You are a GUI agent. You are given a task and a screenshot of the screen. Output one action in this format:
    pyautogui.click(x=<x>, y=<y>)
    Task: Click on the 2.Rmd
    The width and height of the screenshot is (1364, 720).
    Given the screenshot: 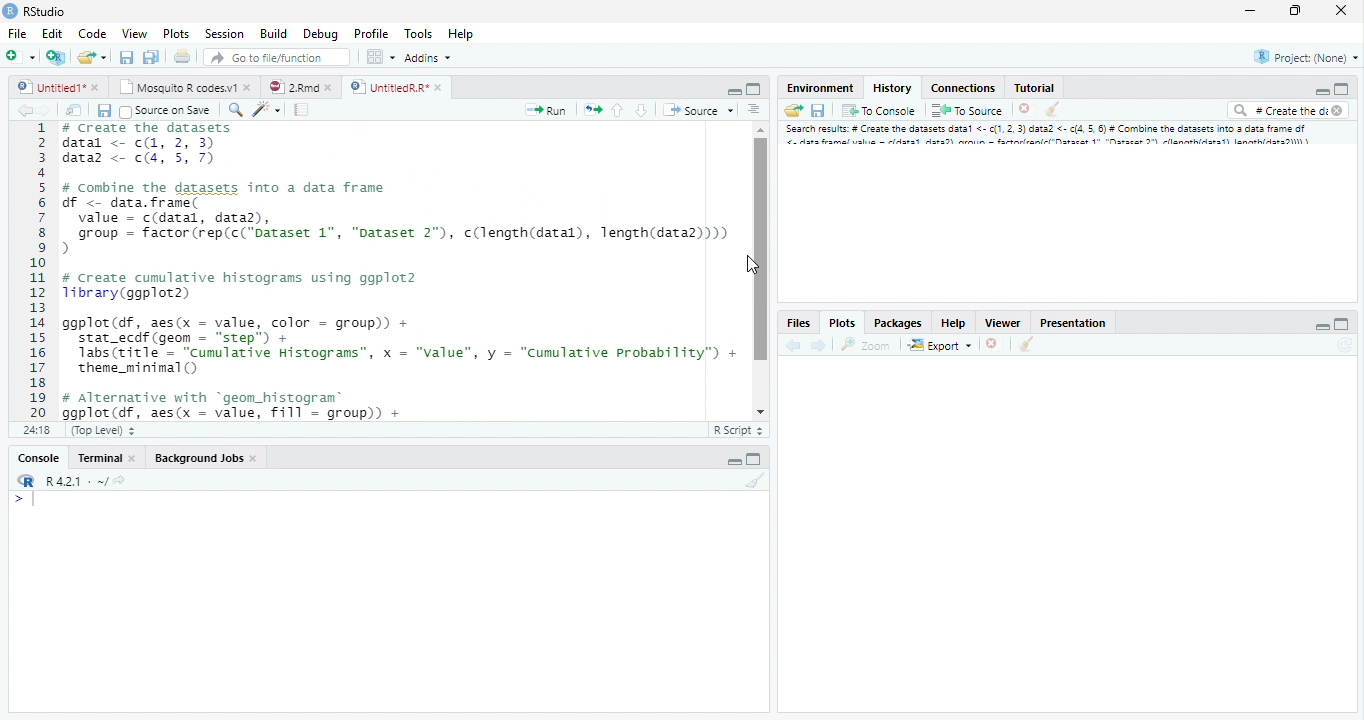 What is the action you would take?
    pyautogui.click(x=298, y=85)
    